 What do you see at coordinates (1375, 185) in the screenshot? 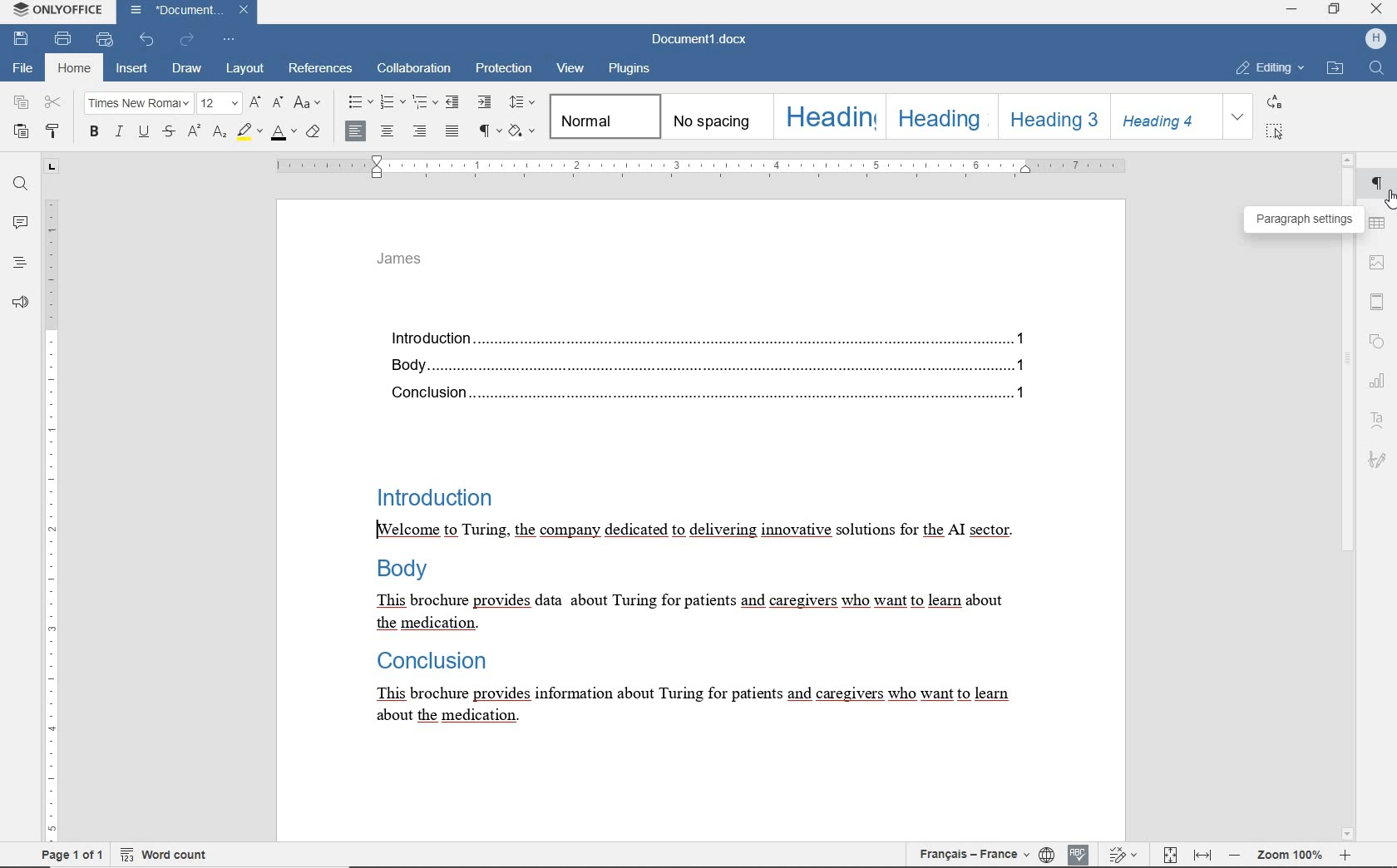
I see `paragraph settings` at bounding box center [1375, 185].